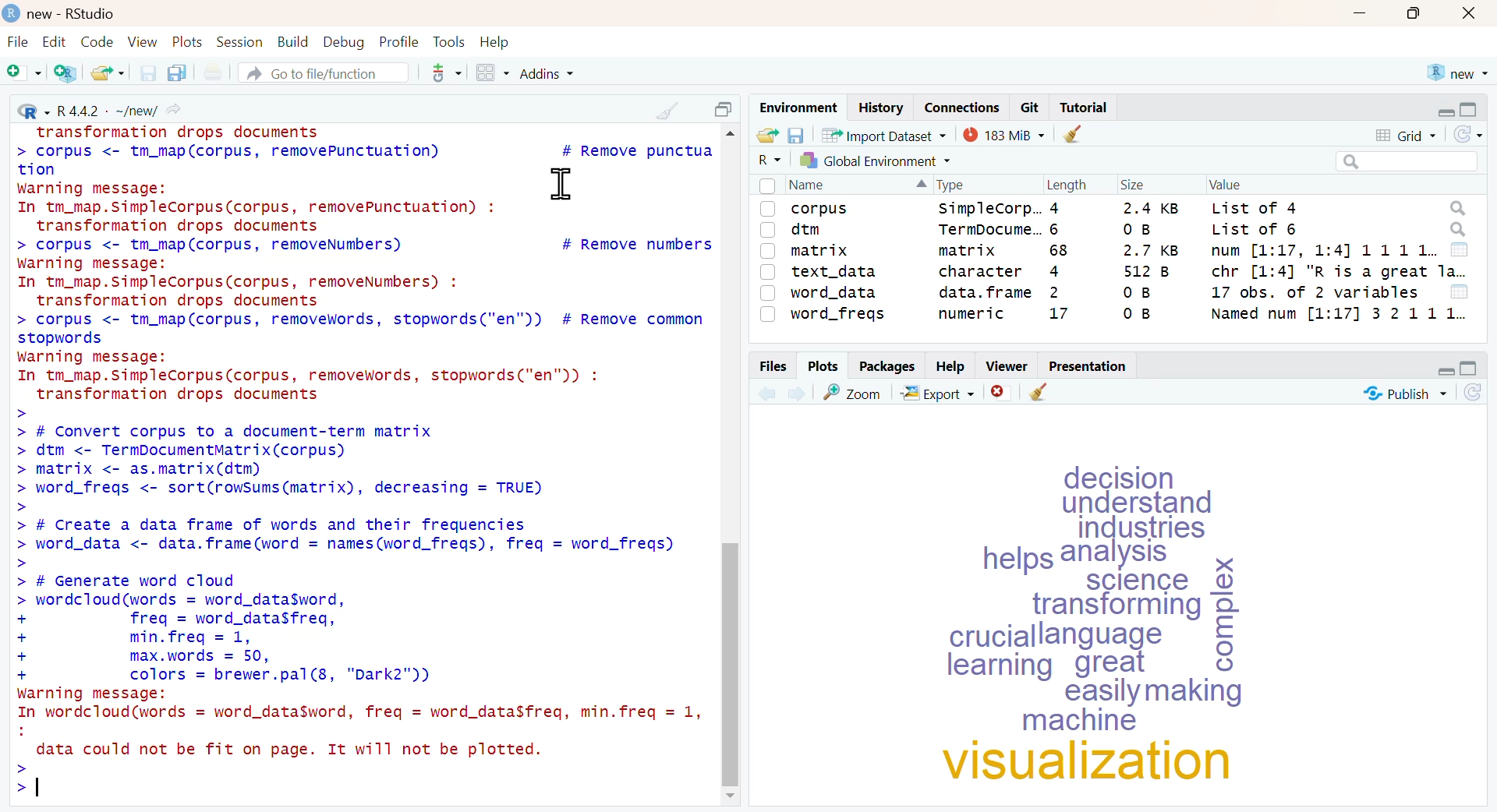 This screenshot has width=1497, height=812. What do you see at coordinates (1092, 763) in the screenshot?
I see `visualization` at bounding box center [1092, 763].